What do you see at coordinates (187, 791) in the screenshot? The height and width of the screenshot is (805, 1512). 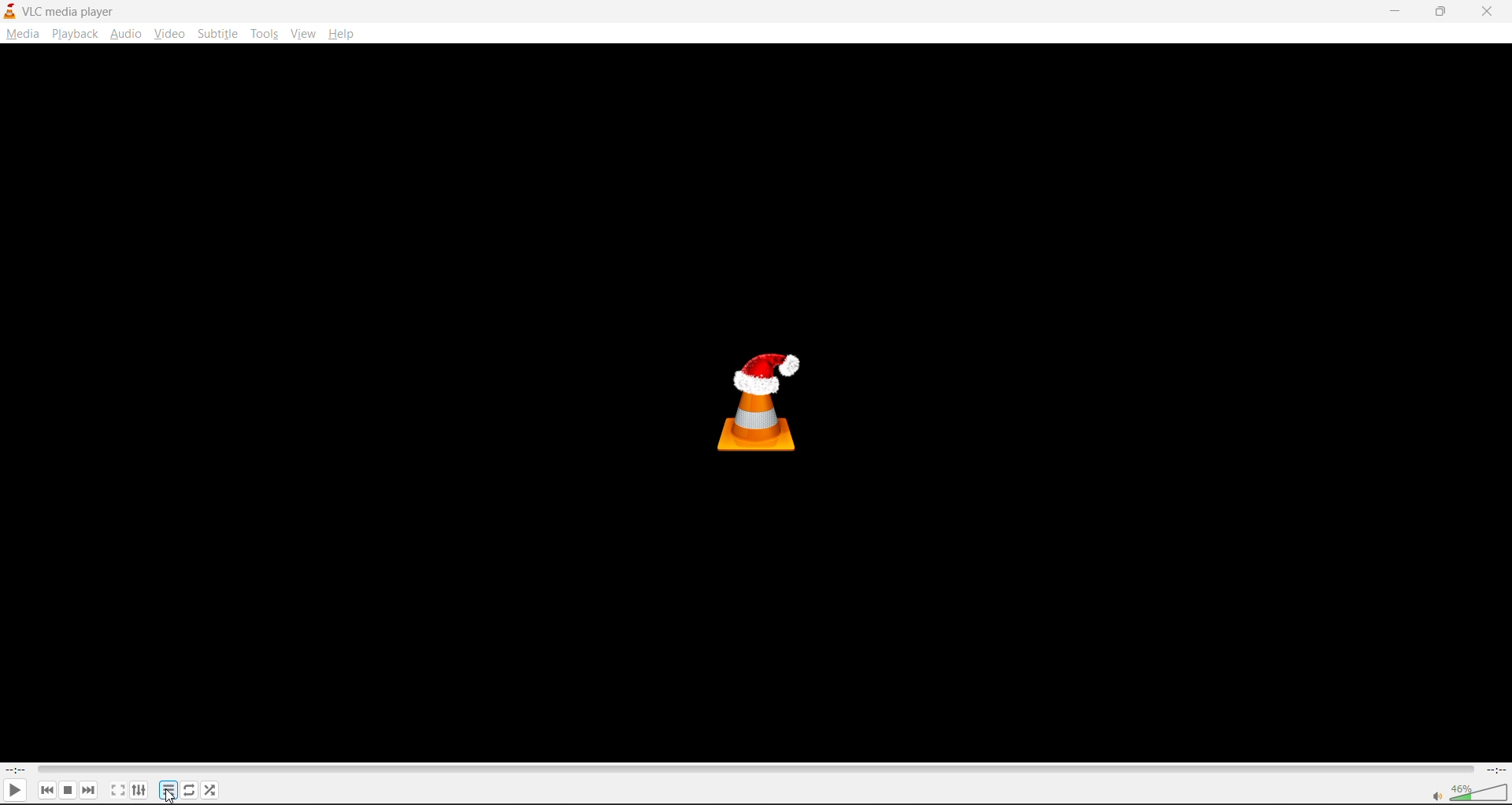 I see `loop` at bounding box center [187, 791].